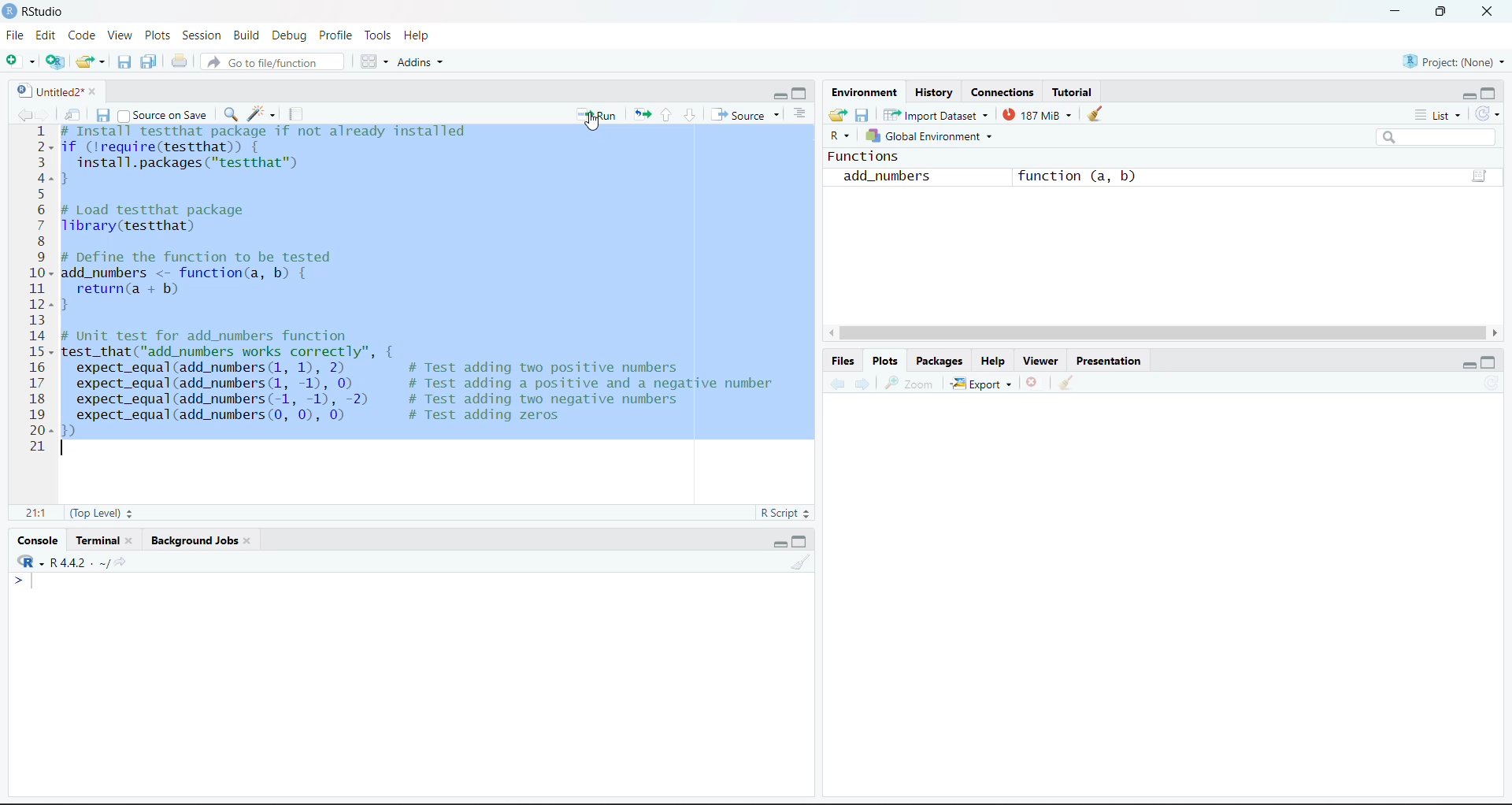 This screenshot has height=805, width=1512. What do you see at coordinates (17, 35) in the screenshot?
I see `File` at bounding box center [17, 35].